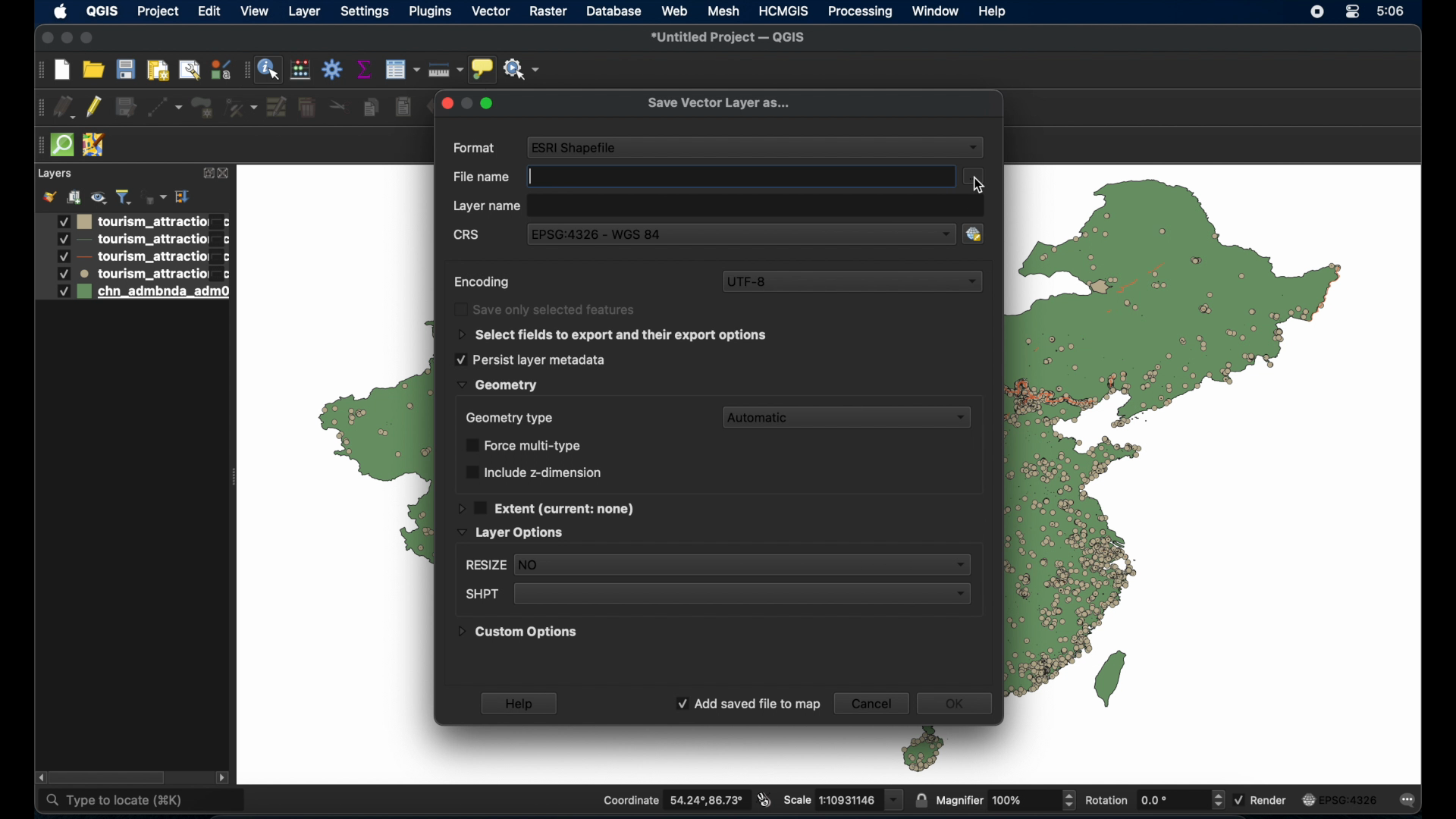 This screenshot has height=819, width=1456. I want to click on project, so click(155, 11).